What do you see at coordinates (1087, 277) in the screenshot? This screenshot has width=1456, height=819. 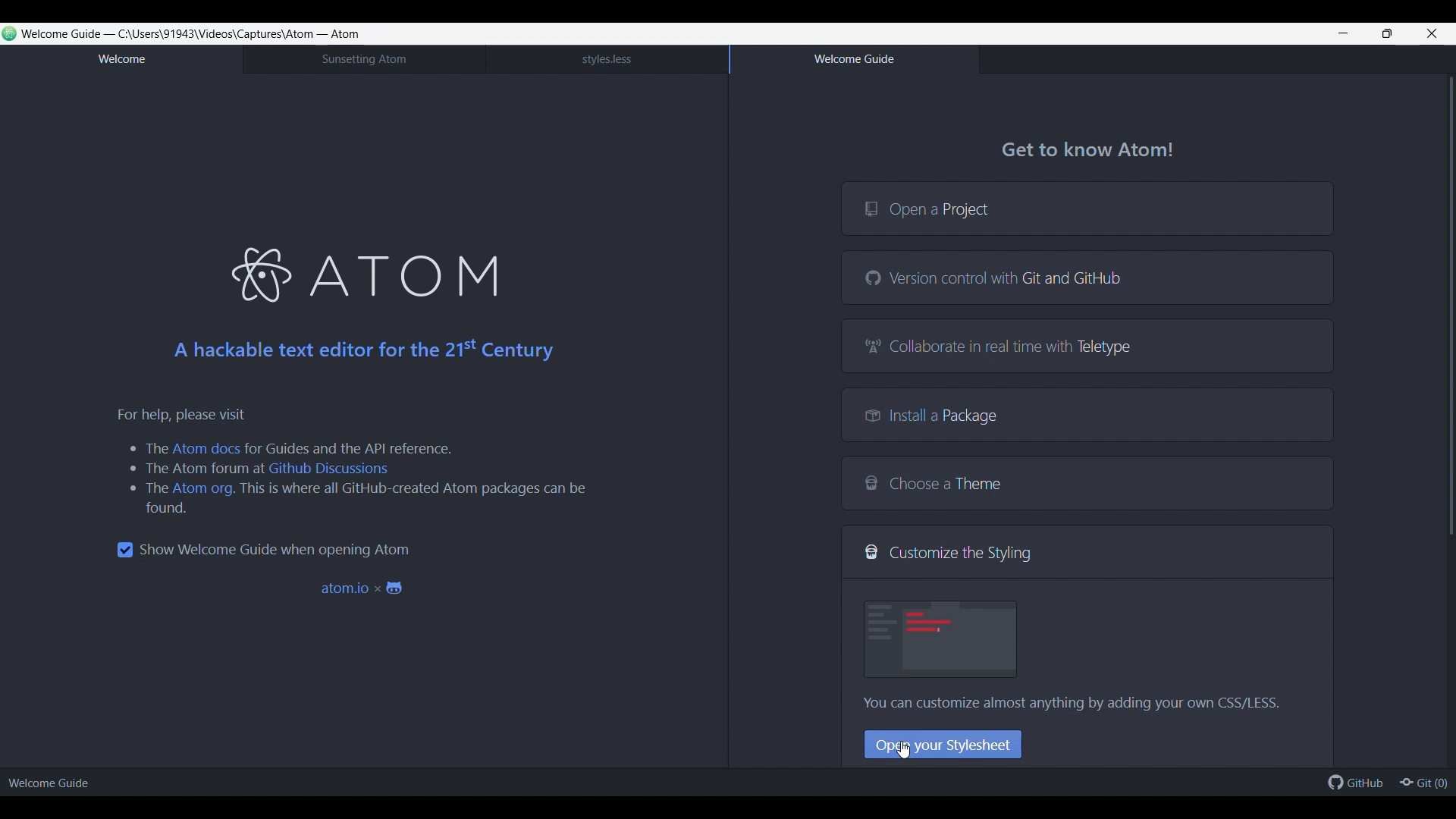 I see `Version control with Git and GitHub` at bounding box center [1087, 277].